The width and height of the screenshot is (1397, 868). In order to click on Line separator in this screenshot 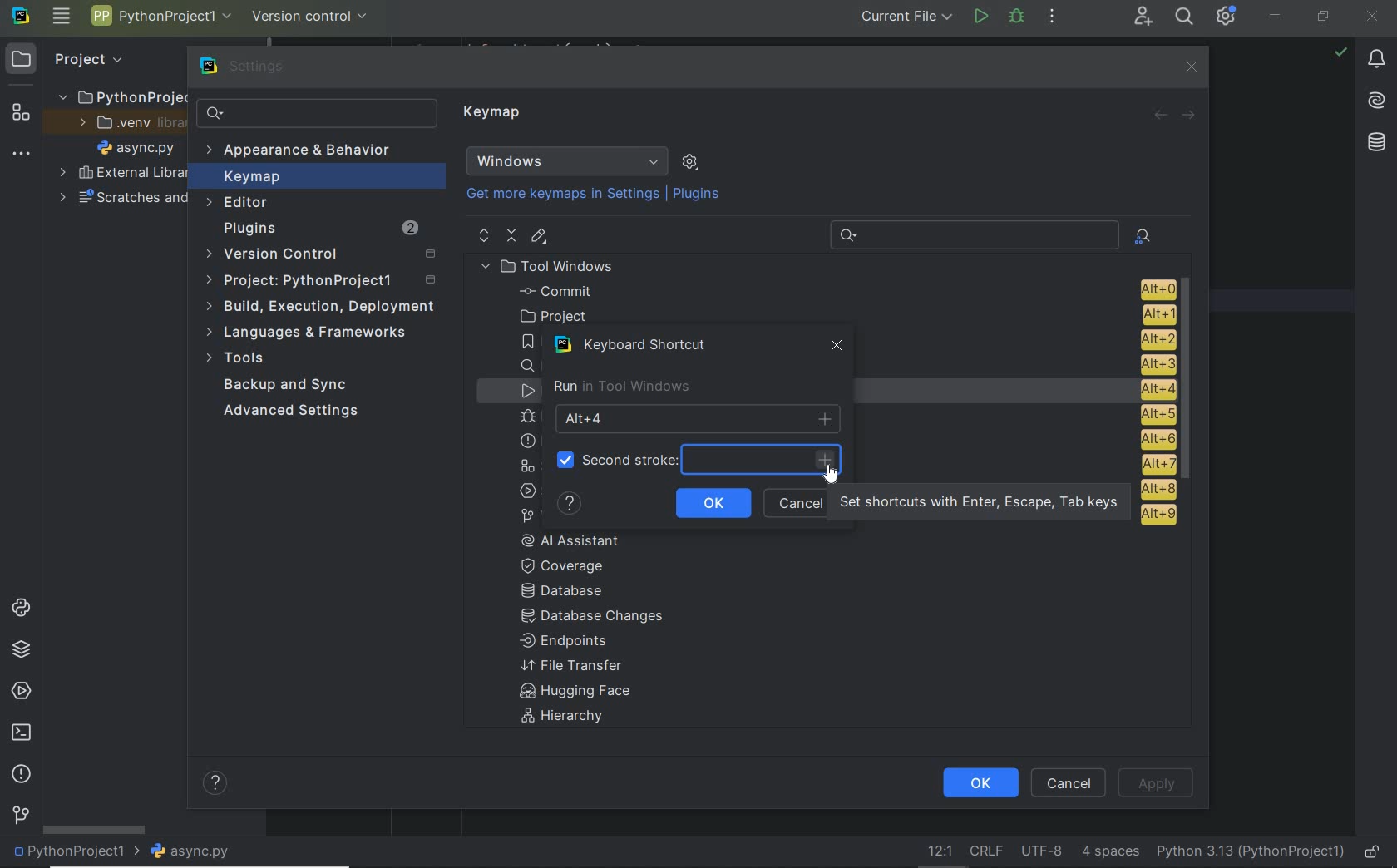, I will do `click(985, 851)`.